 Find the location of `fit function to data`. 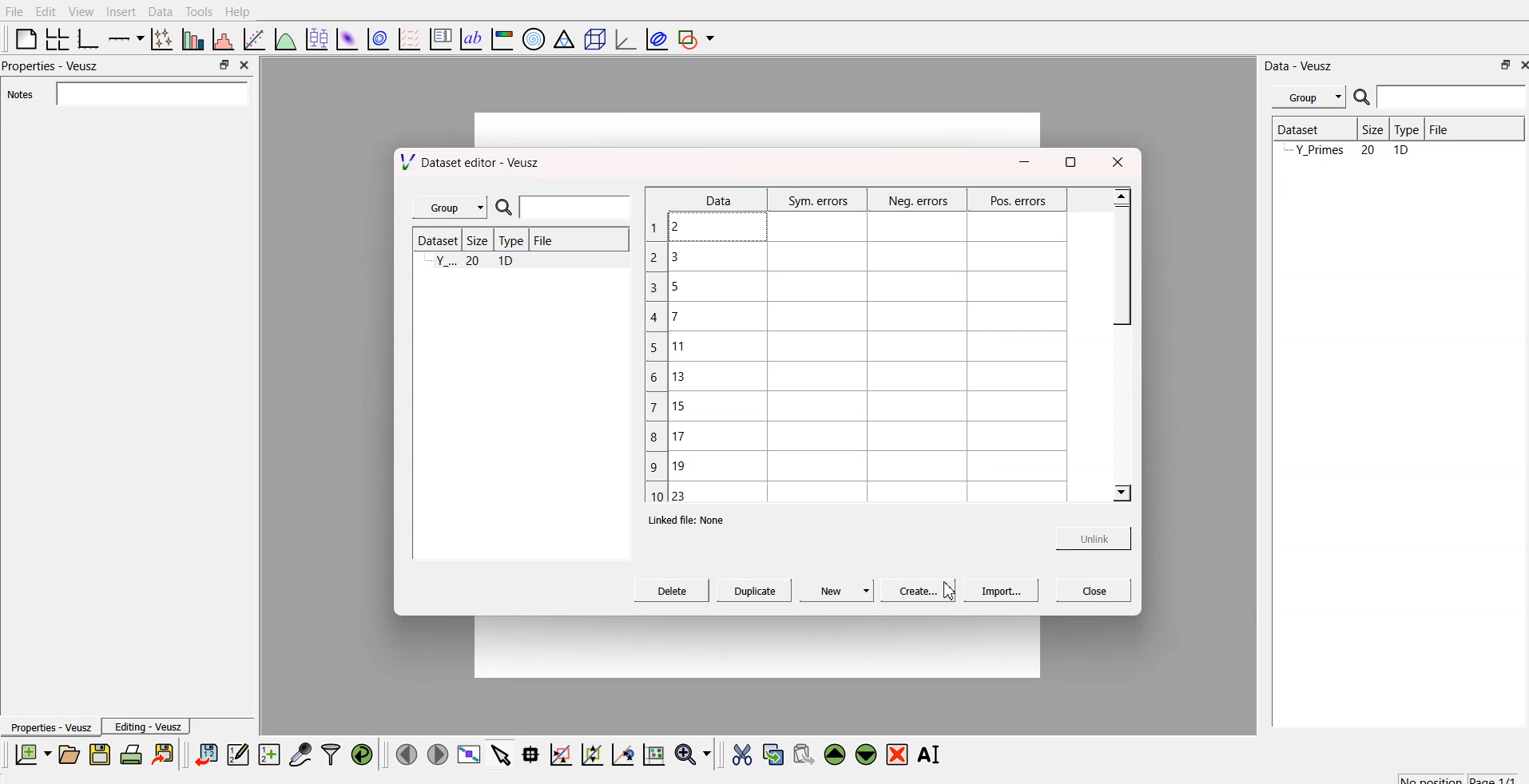

fit function to data is located at coordinates (252, 38).